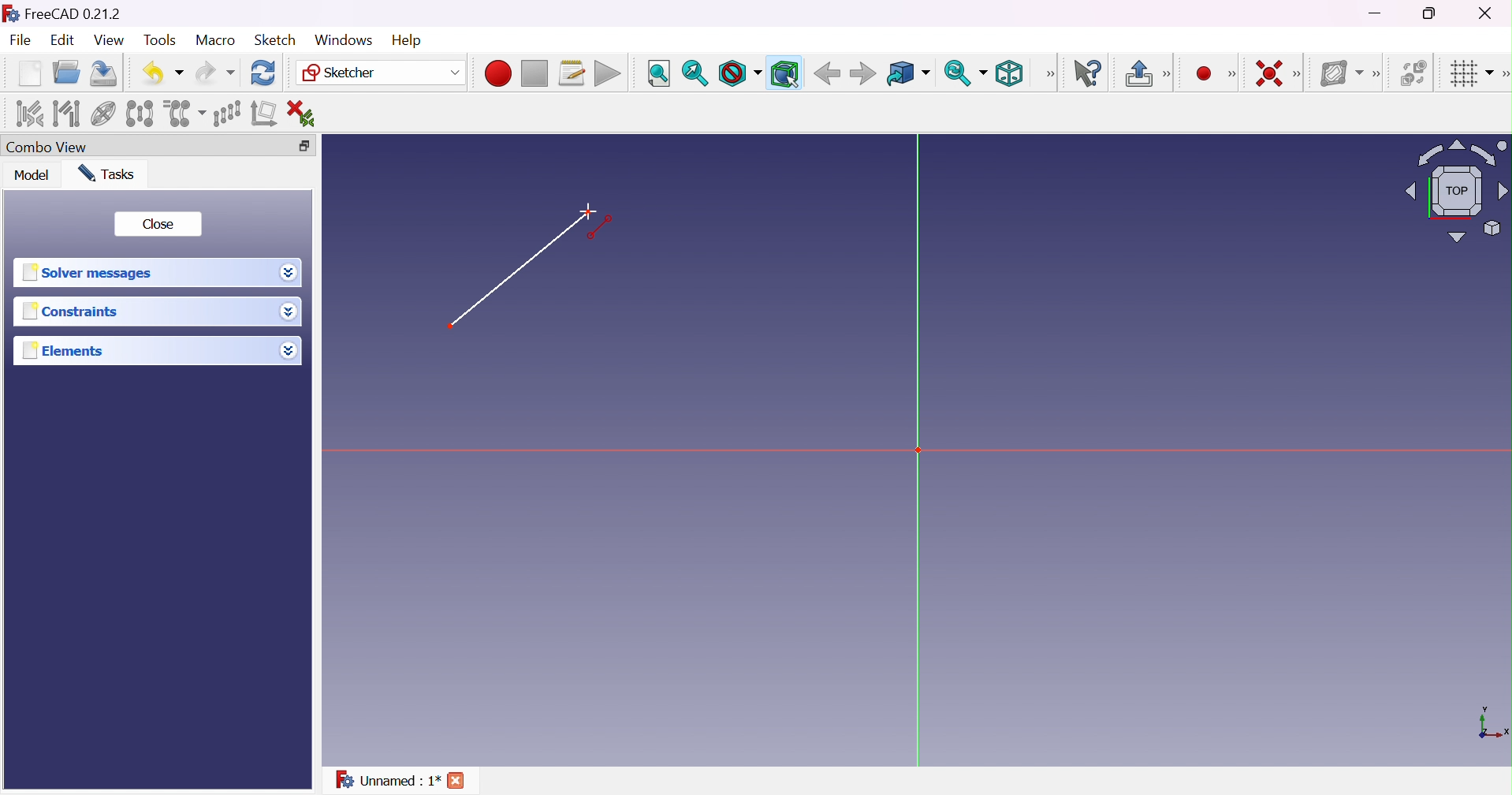 The height and width of the screenshot is (795, 1512). Describe the element at coordinates (184, 112) in the screenshot. I see `Clone` at that location.